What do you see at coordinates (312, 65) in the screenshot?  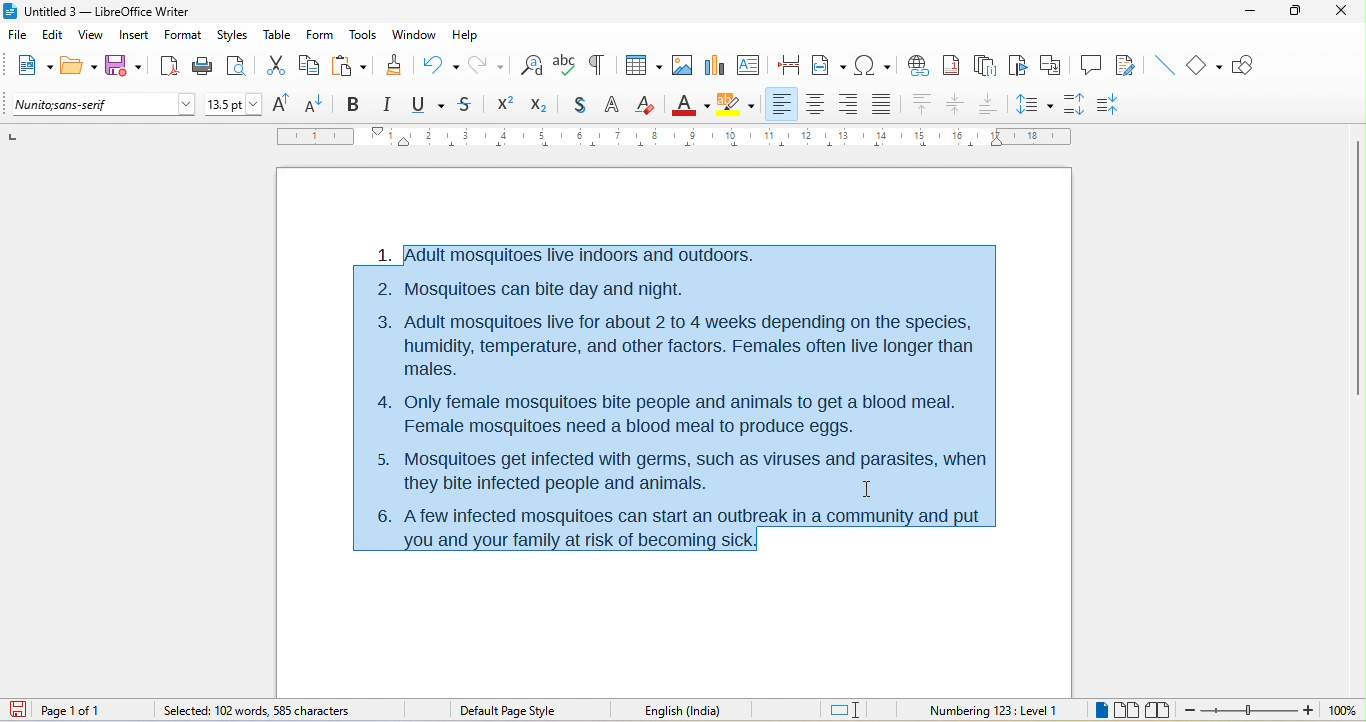 I see `copy` at bounding box center [312, 65].